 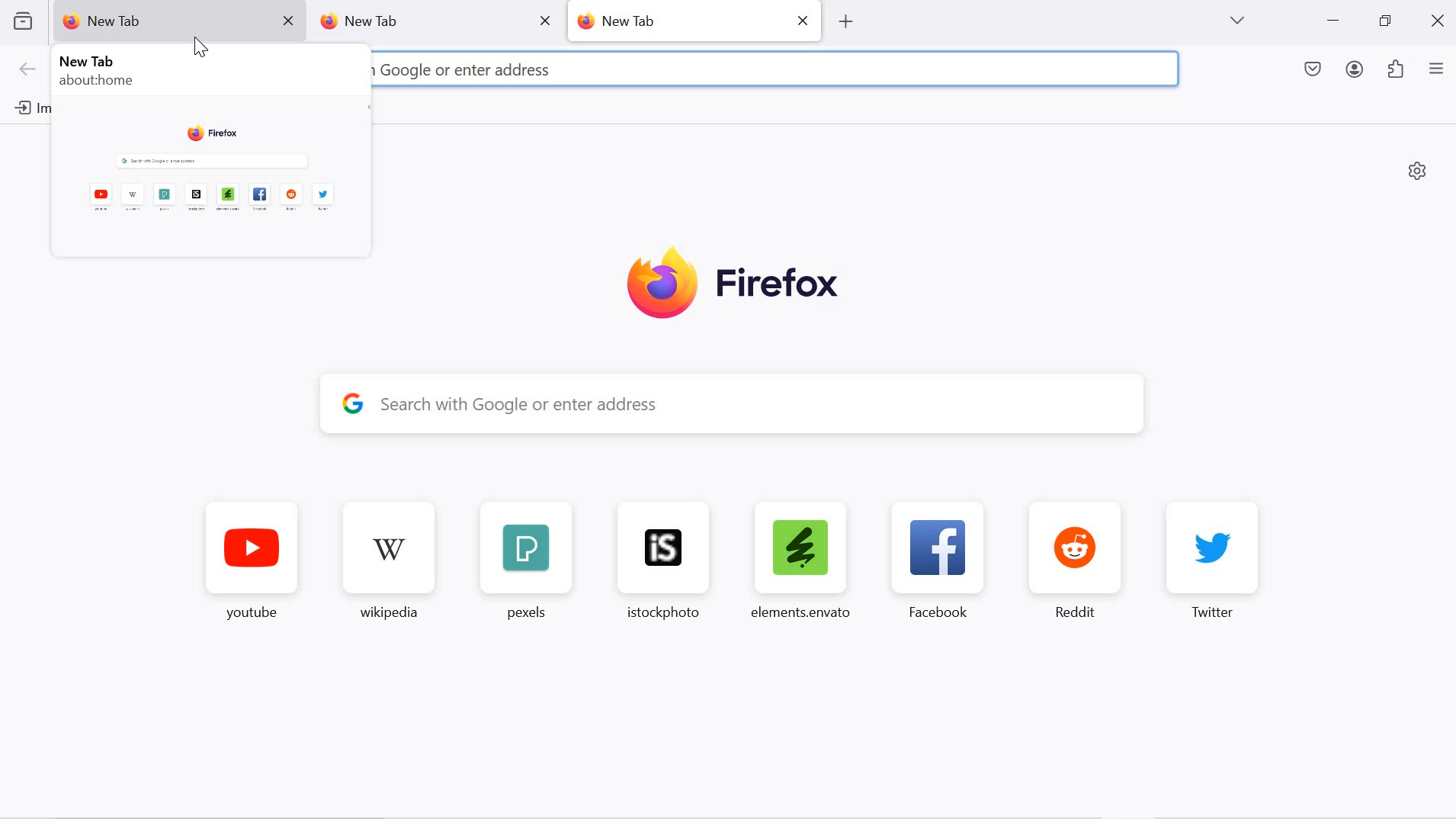 I want to click on restore down, so click(x=1384, y=21).